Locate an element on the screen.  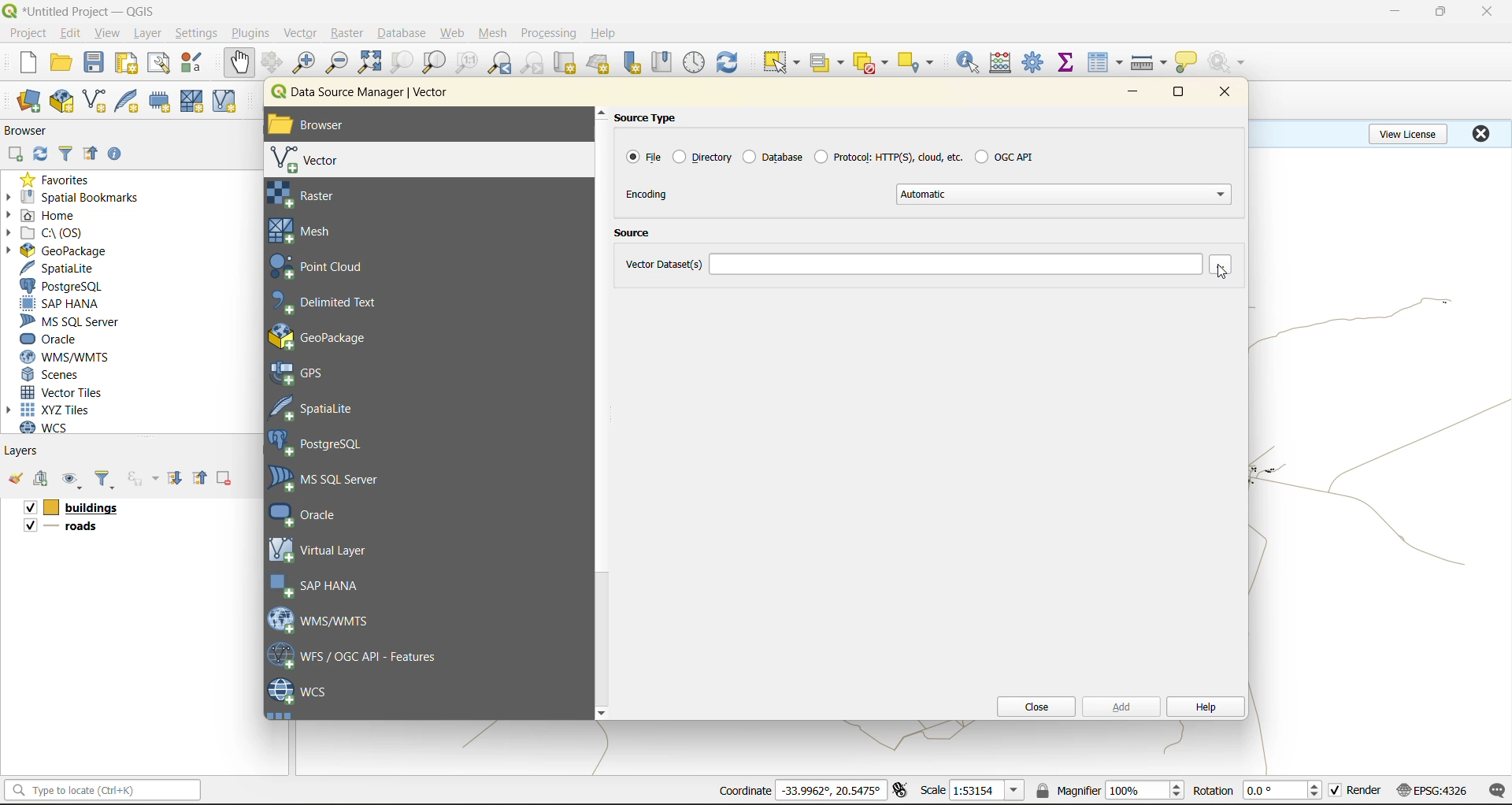
attributes table is located at coordinates (1106, 64).